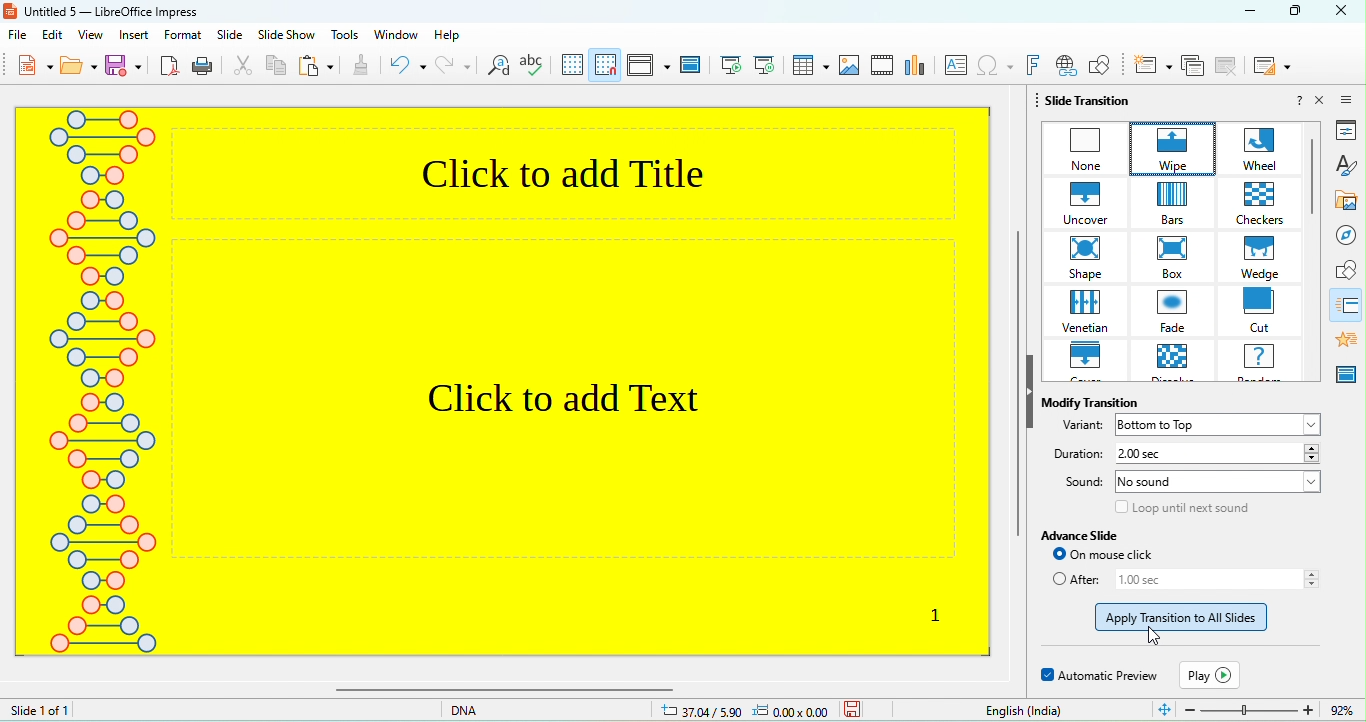 The width and height of the screenshot is (1366, 722). What do you see at coordinates (92, 36) in the screenshot?
I see `view` at bounding box center [92, 36].